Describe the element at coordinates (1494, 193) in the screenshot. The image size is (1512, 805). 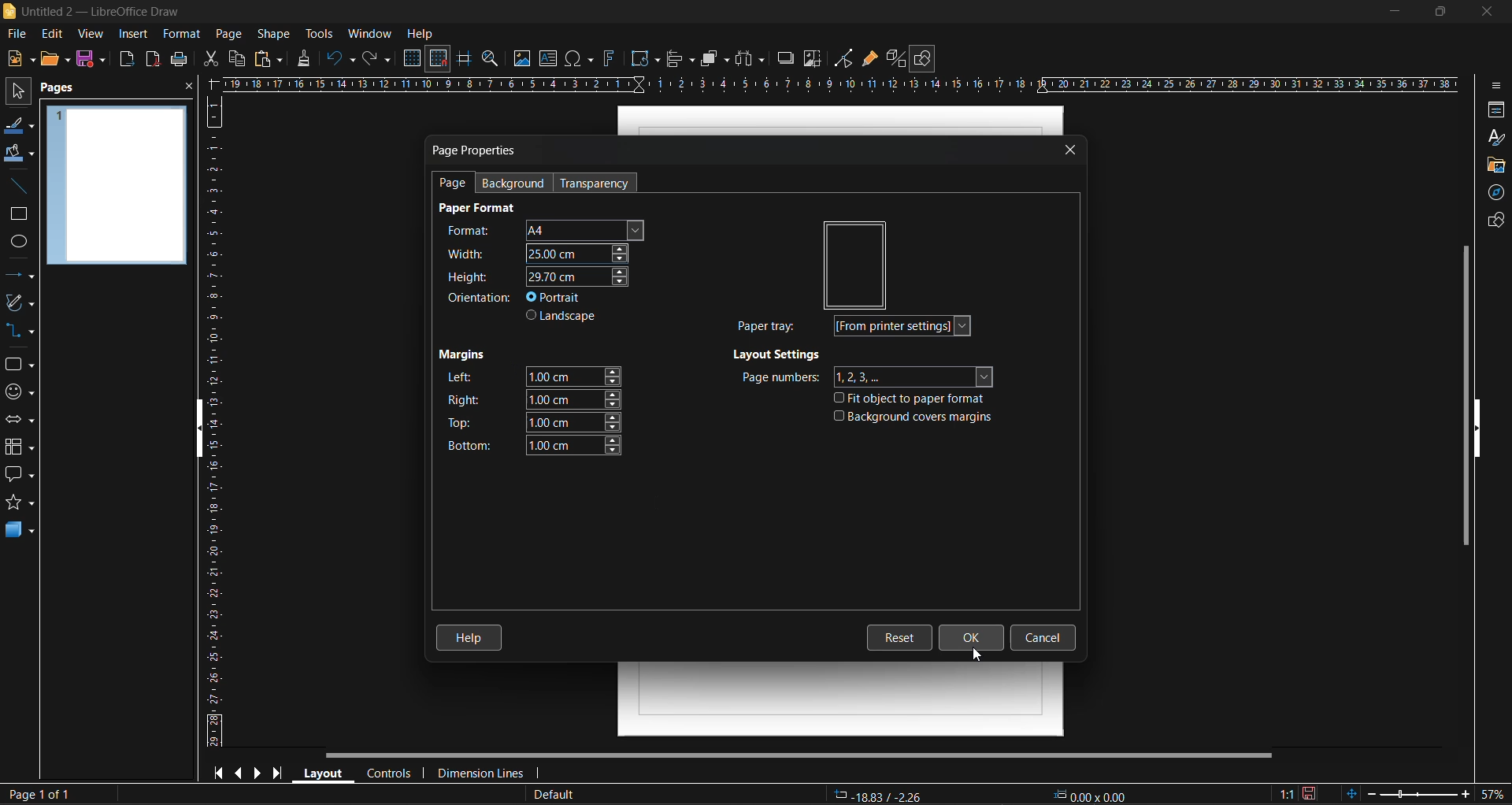
I see `navigator` at that location.